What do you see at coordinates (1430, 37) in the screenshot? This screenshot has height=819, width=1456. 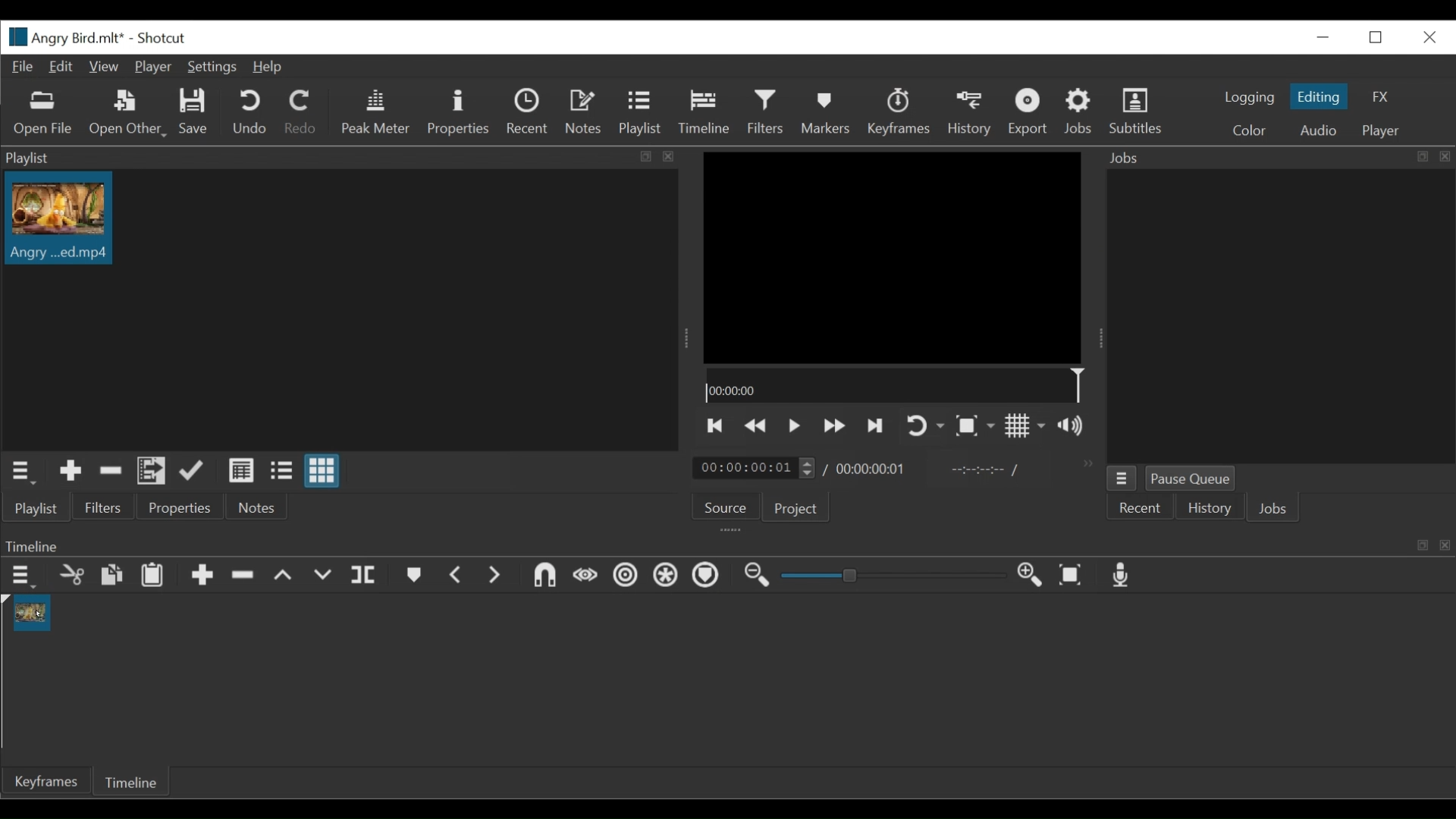 I see `Close` at bounding box center [1430, 37].